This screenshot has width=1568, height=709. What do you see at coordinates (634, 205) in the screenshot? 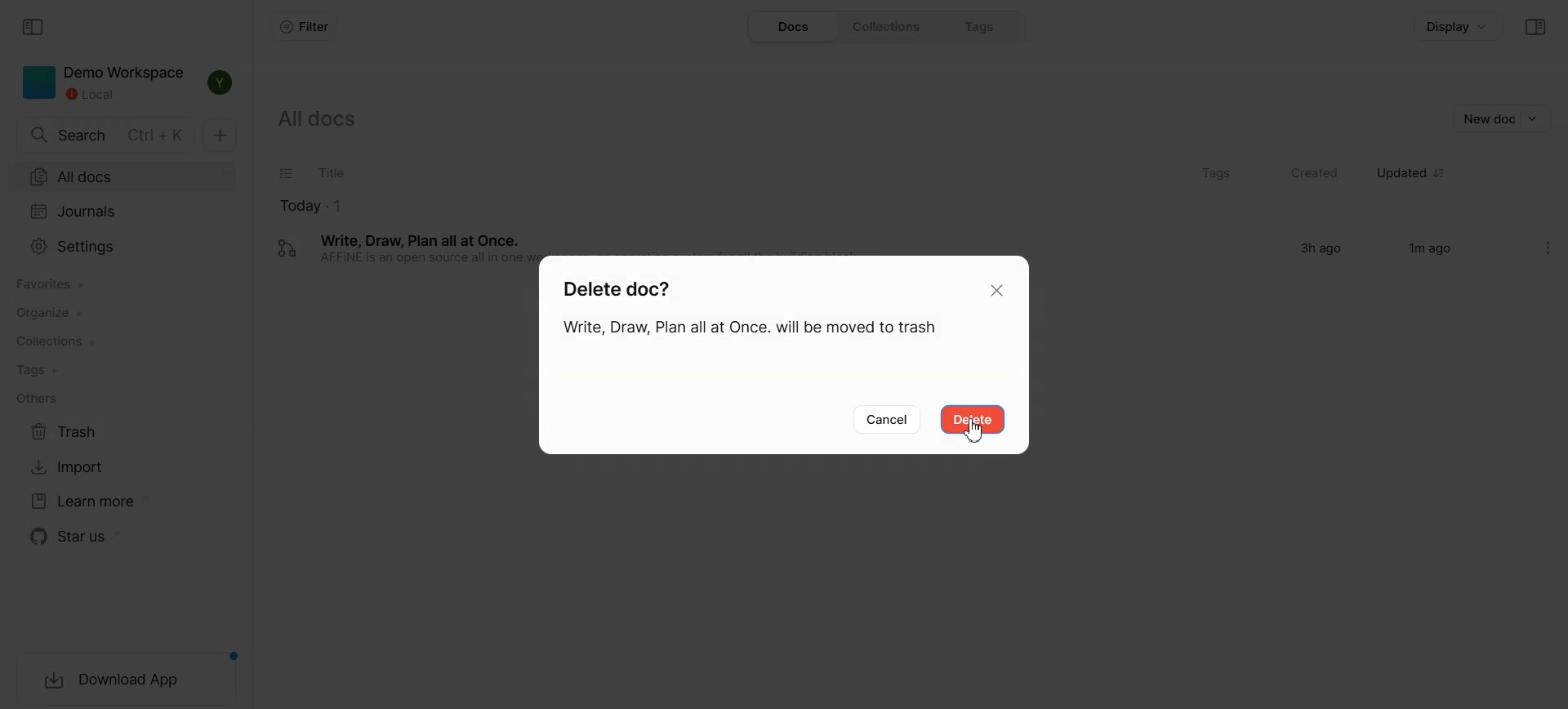
I see `Today` at bounding box center [634, 205].